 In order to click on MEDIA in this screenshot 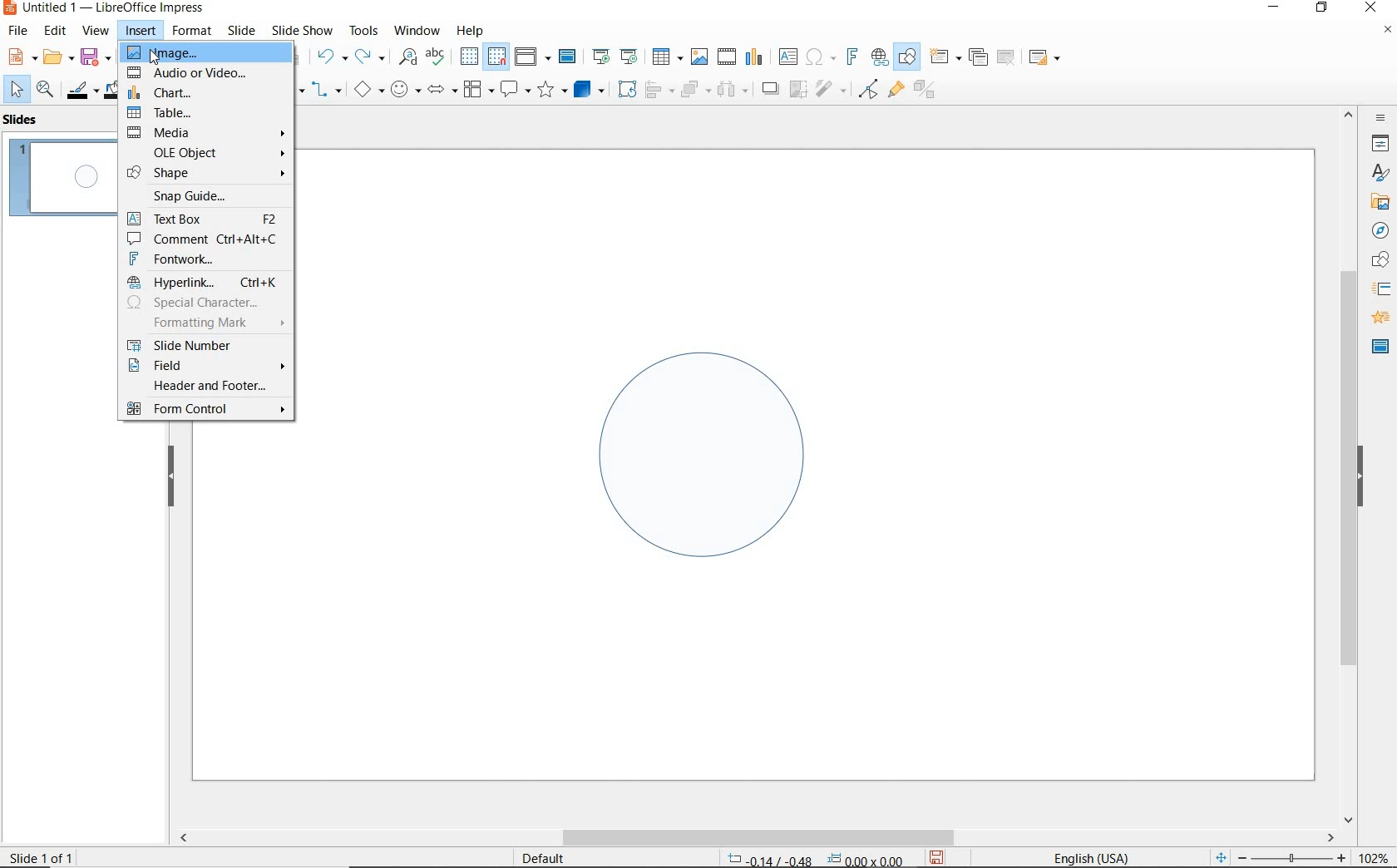, I will do `click(206, 131)`.